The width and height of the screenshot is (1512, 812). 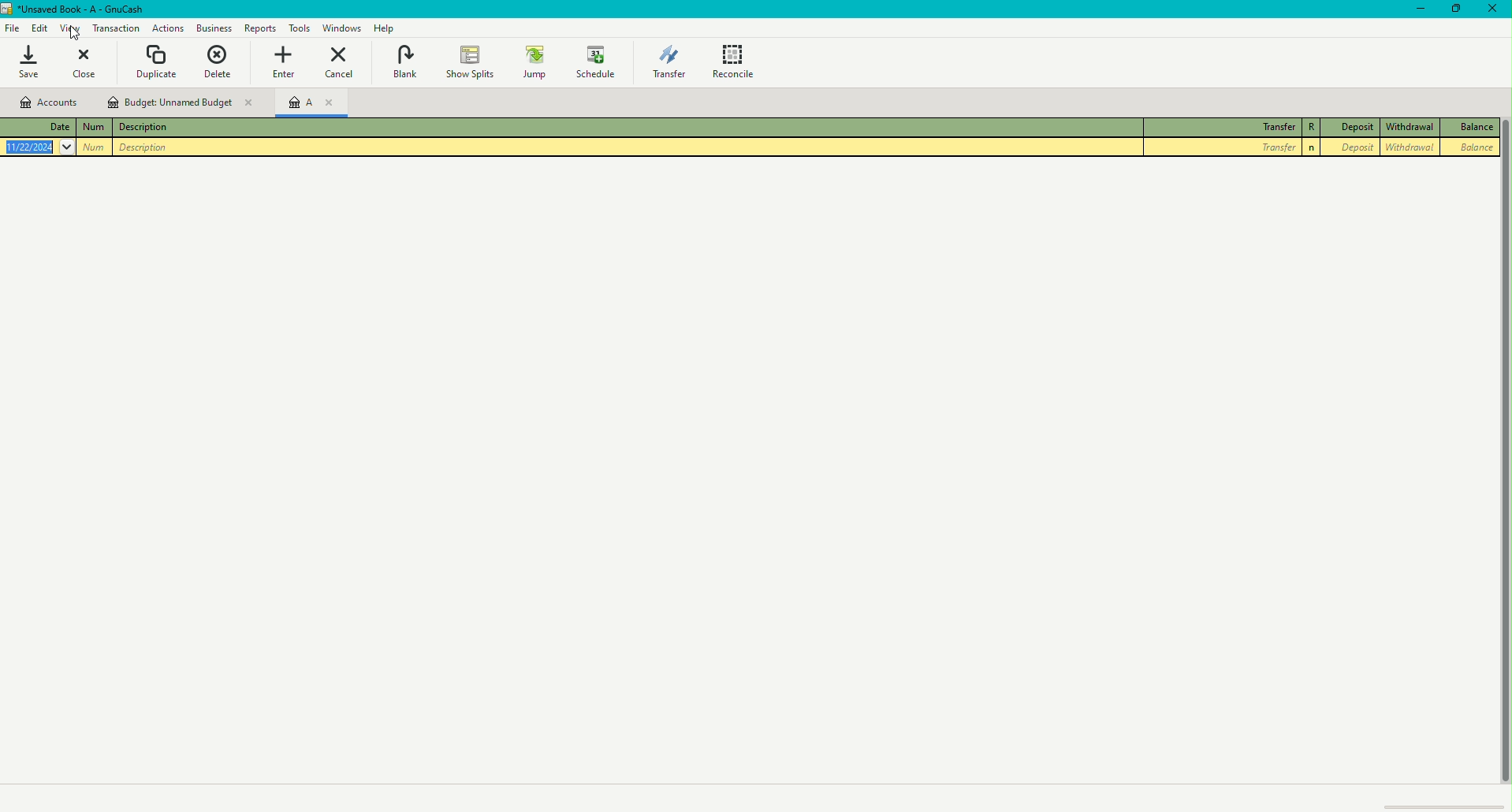 What do you see at coordinates (67, 28) in the screenshot?
I see `View` at bounding box center [67, 28].